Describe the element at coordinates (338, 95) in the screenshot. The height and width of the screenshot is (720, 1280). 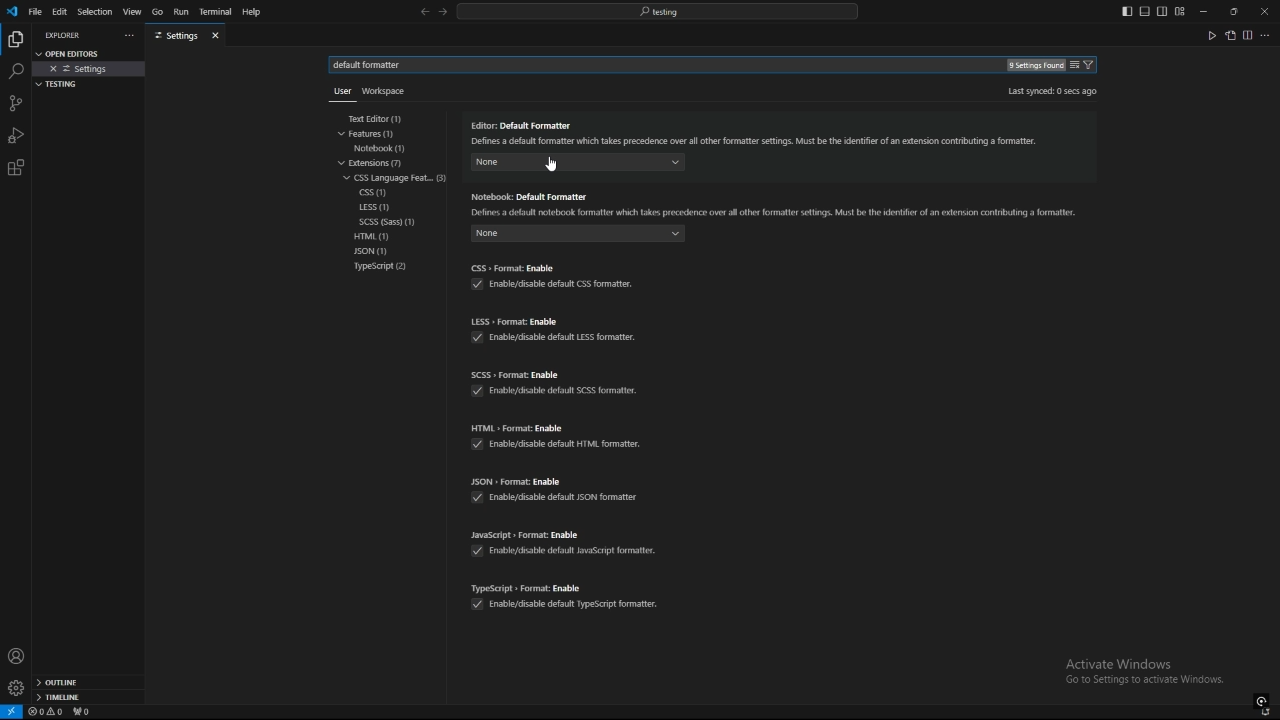
I see `` at that location.